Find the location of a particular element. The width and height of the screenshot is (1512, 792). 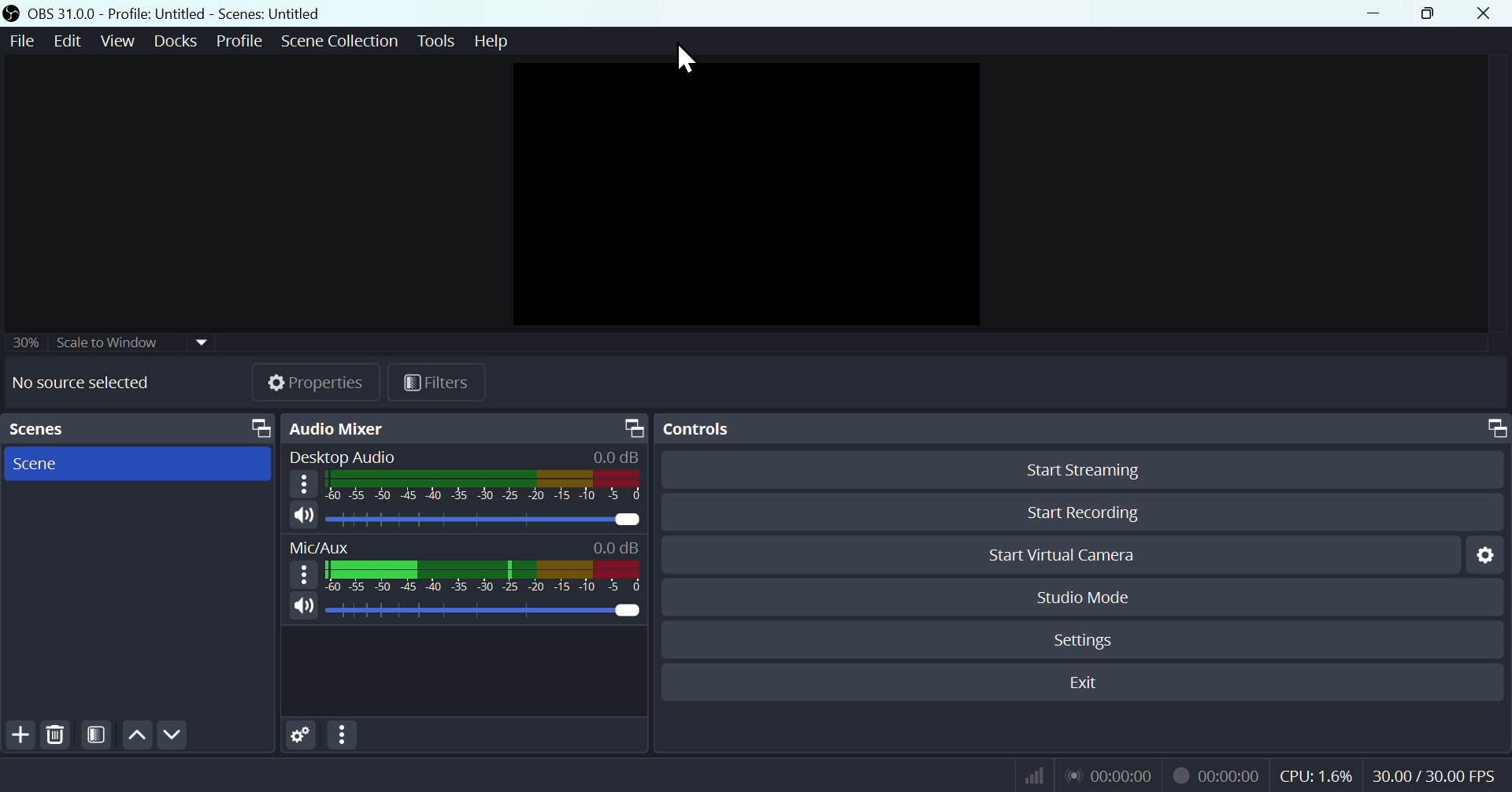

(un)mute is located at coordinates (305, 516).